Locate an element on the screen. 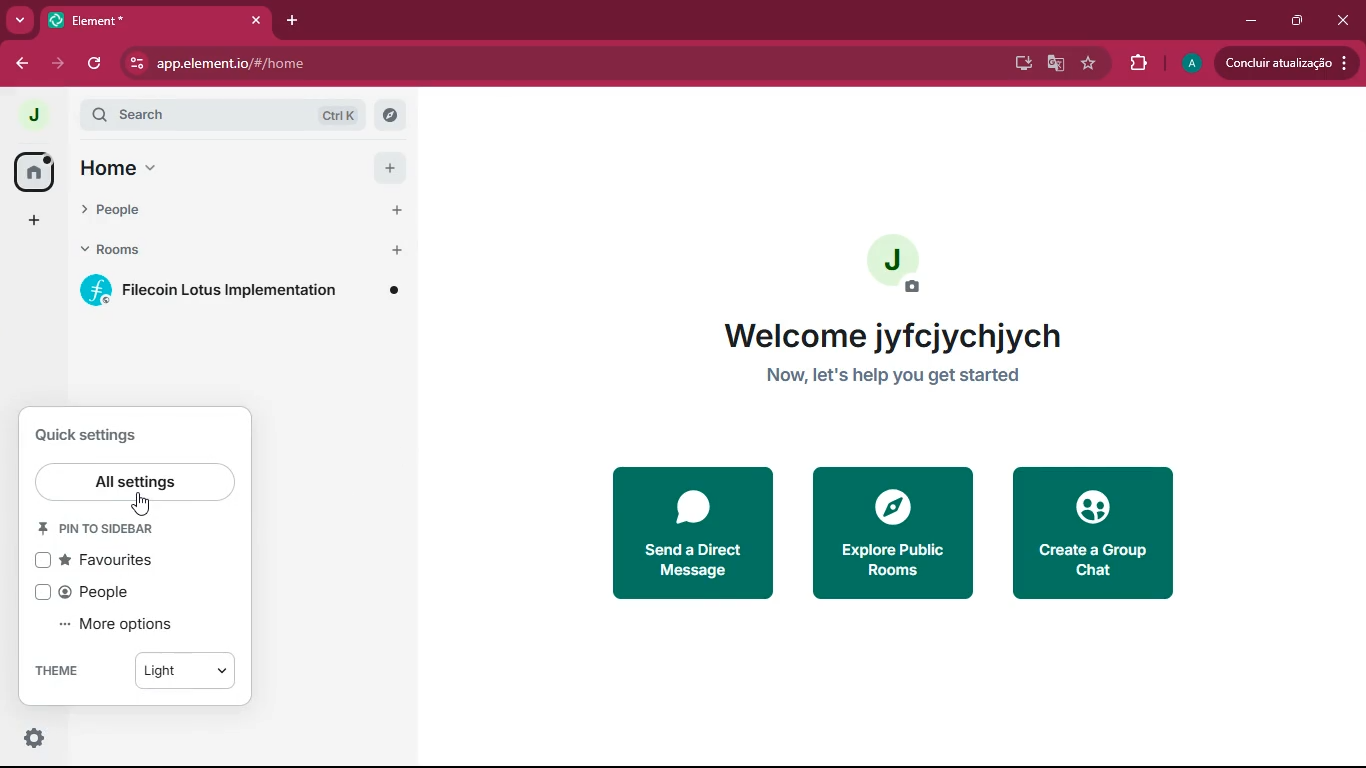 The image size is (1366, 768). more options is located at coordinates (131, 624).